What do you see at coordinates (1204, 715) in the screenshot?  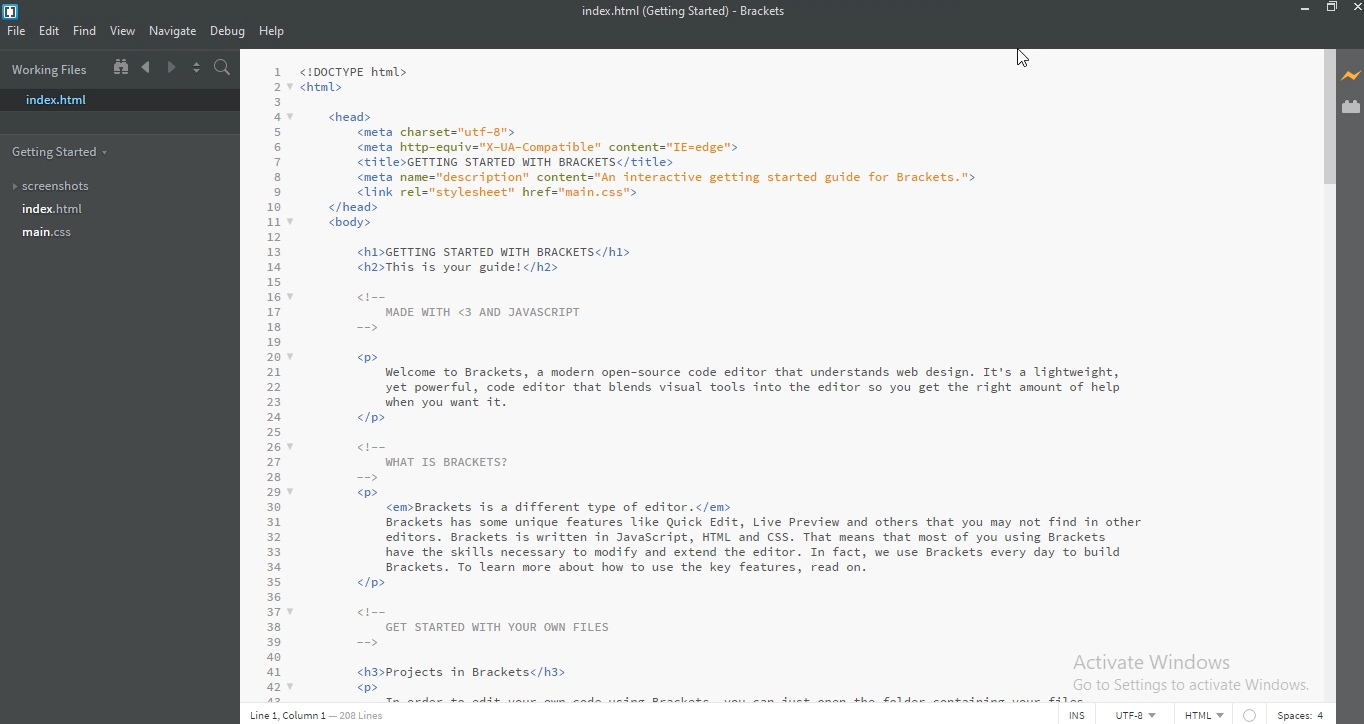 I see `HTML` at bounding box center [1204, 715].